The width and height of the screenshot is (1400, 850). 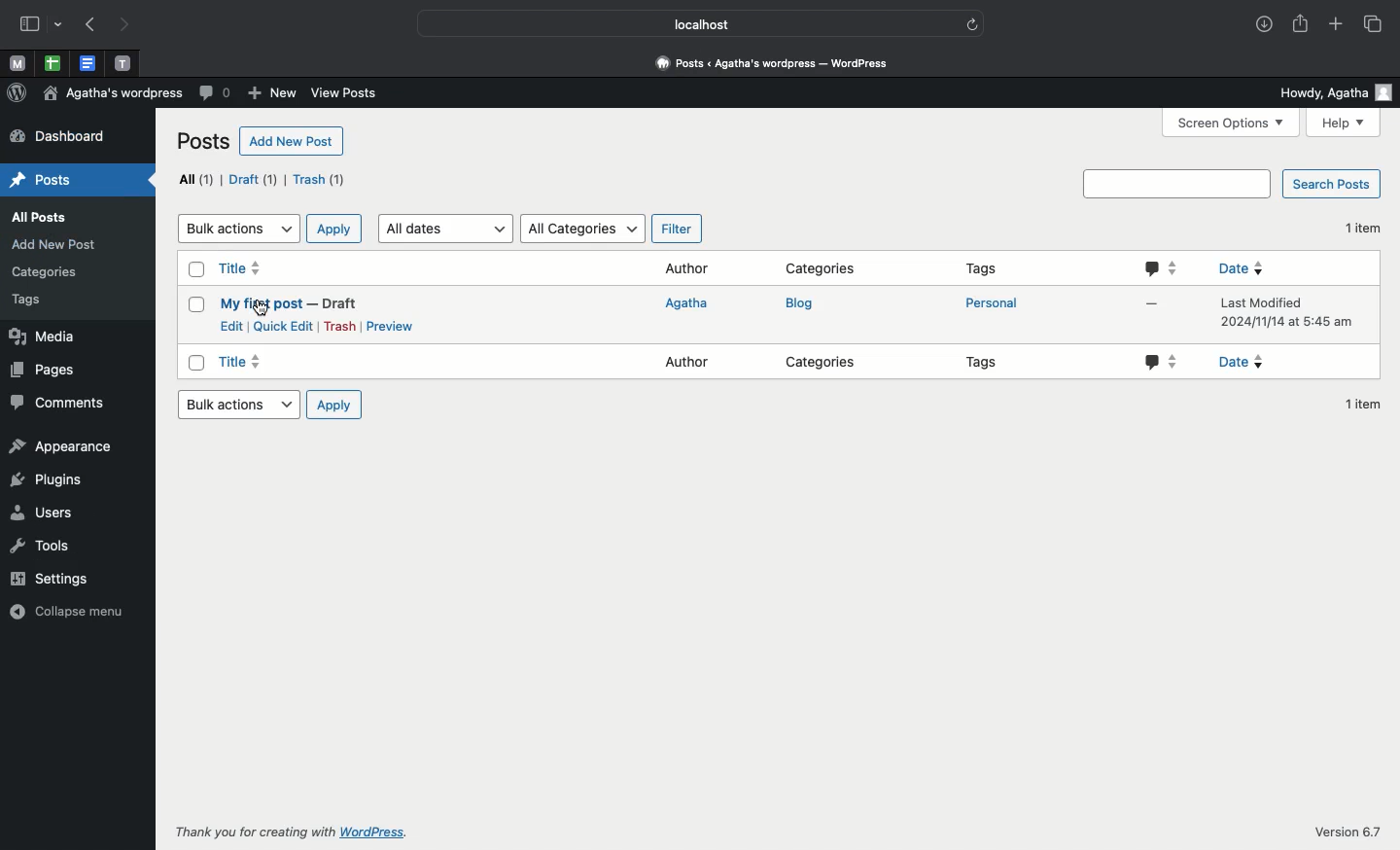 What do you see at coordinates (198, 180) in the screenshot?
I see `All` at bounding box center [198, 180].